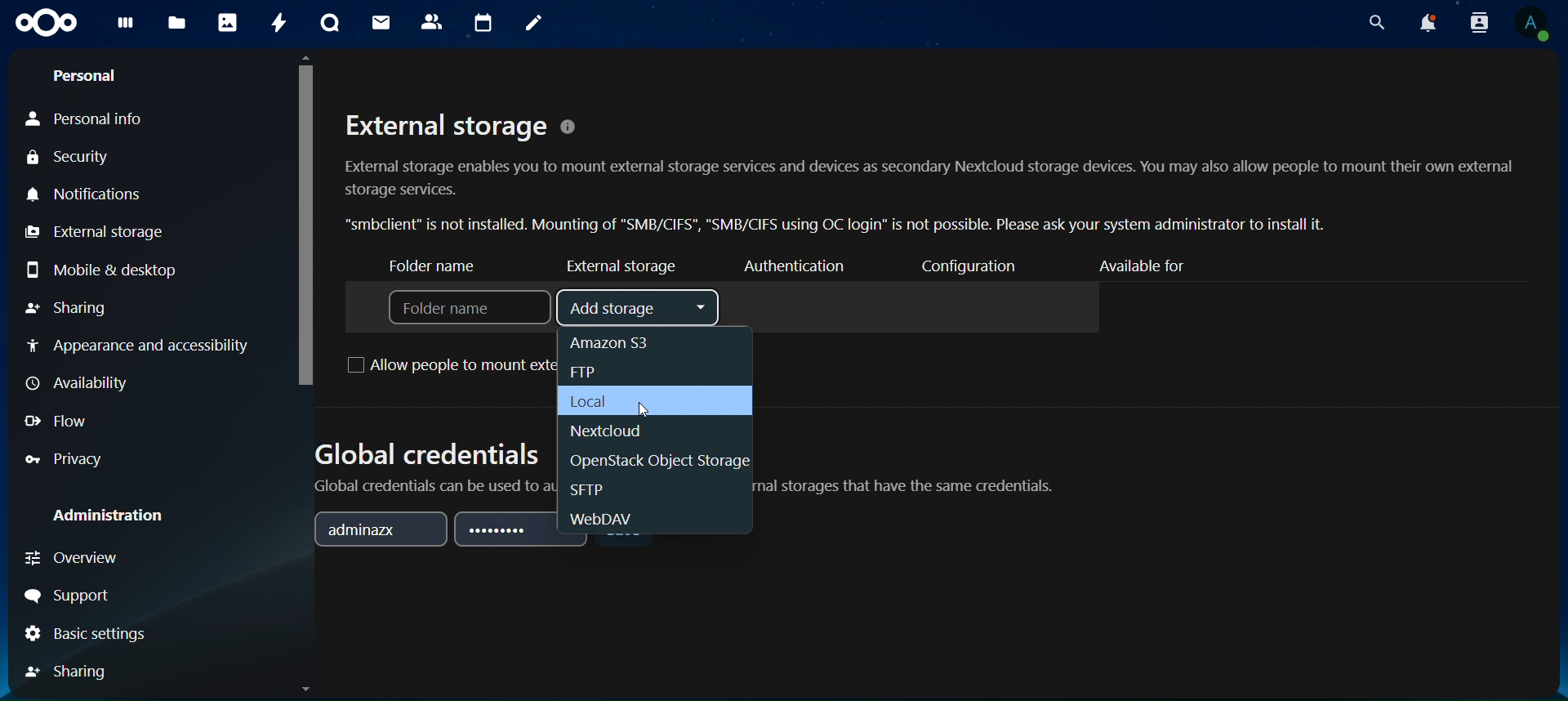  I want to click on overview, so click(78, 560).